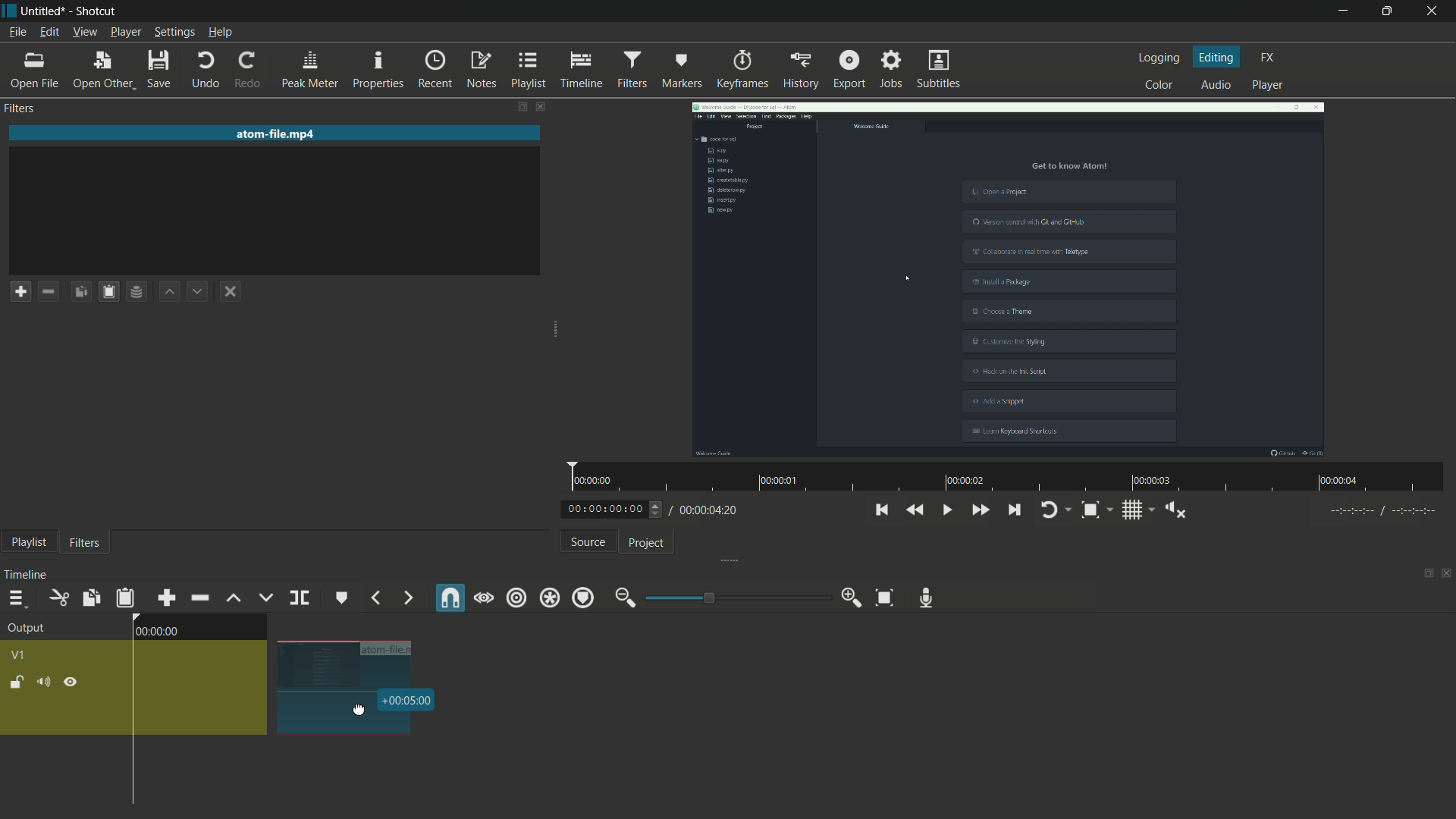  What do you see at coordinates (80, 291) in the screenshot?
I see `paste` at bounding box center [80, 291].